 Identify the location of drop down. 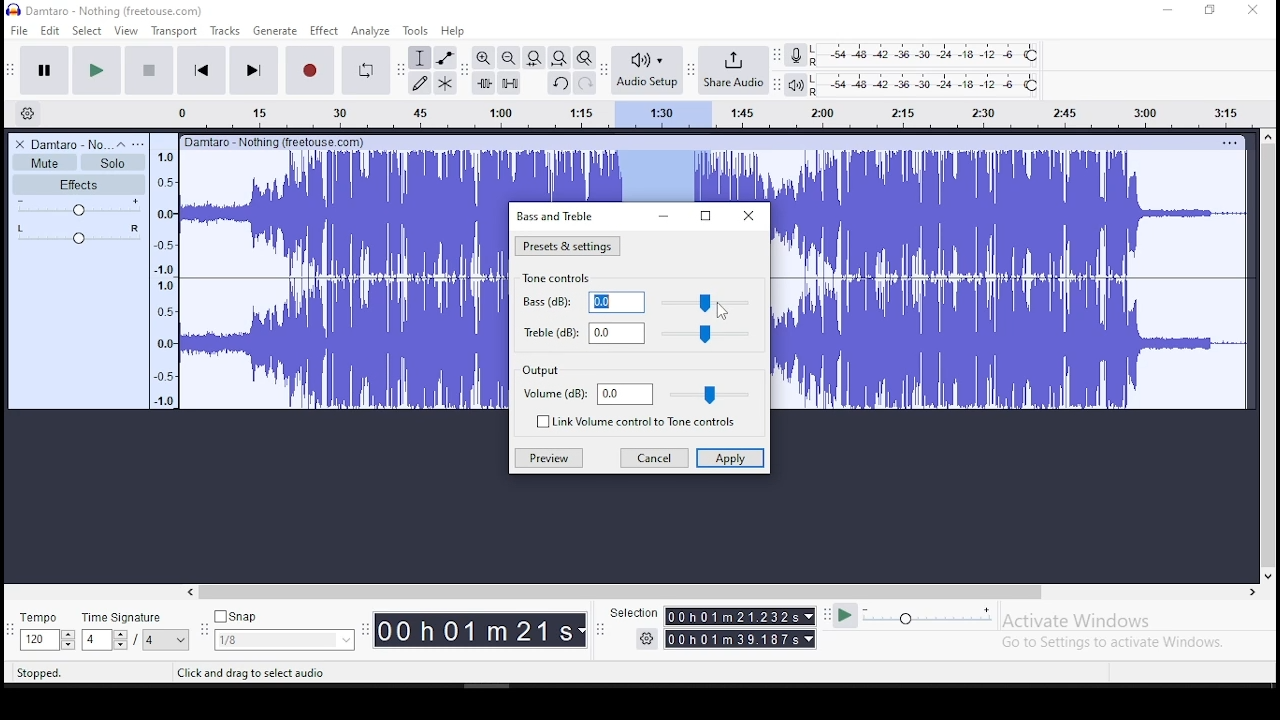
(807, 616).